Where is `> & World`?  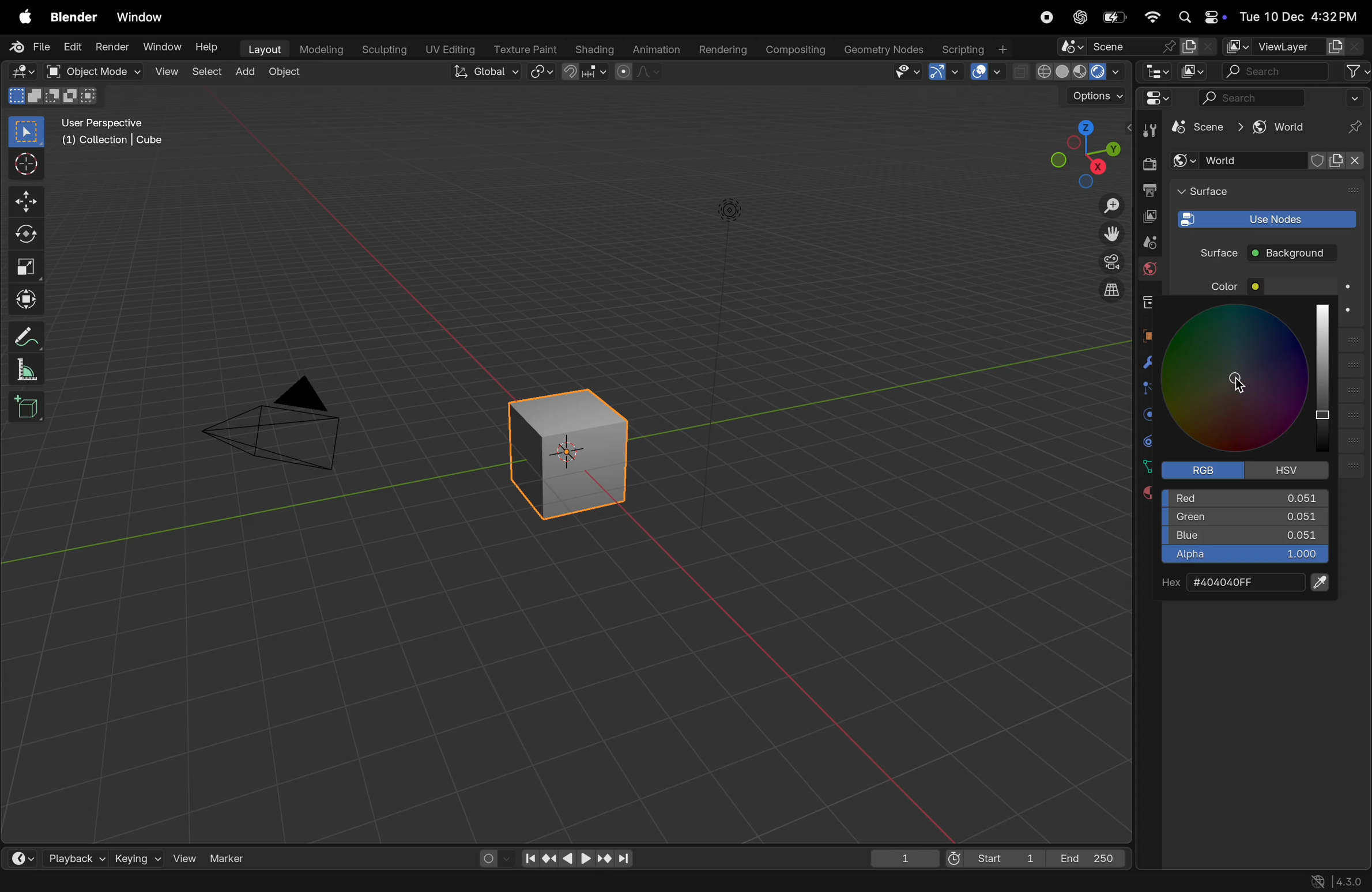
> & World is located at coordinates (1276, 128).